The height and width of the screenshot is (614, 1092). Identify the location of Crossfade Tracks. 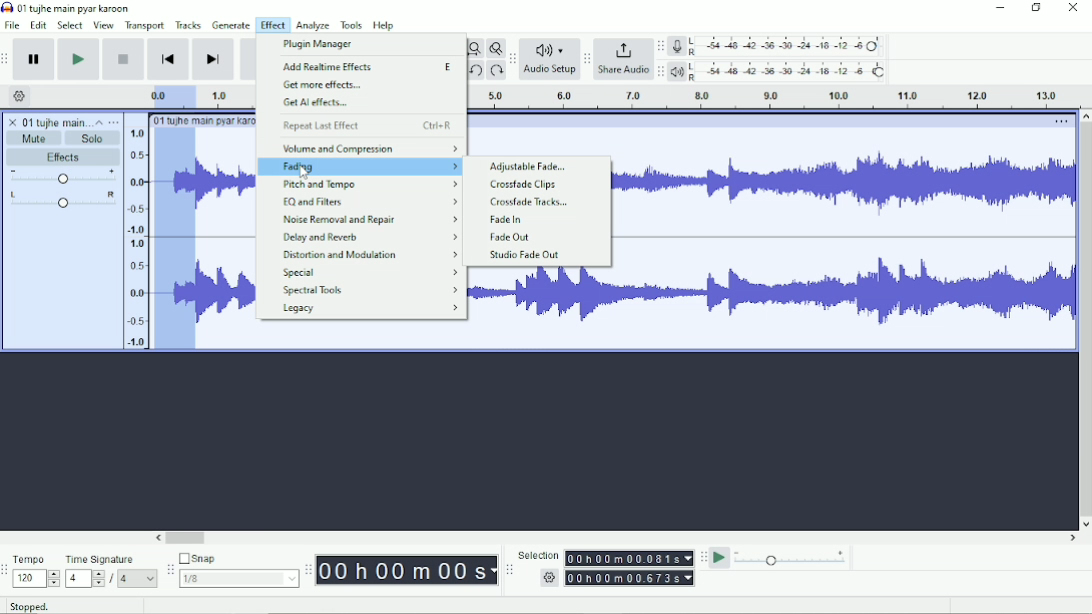
(530, 202).